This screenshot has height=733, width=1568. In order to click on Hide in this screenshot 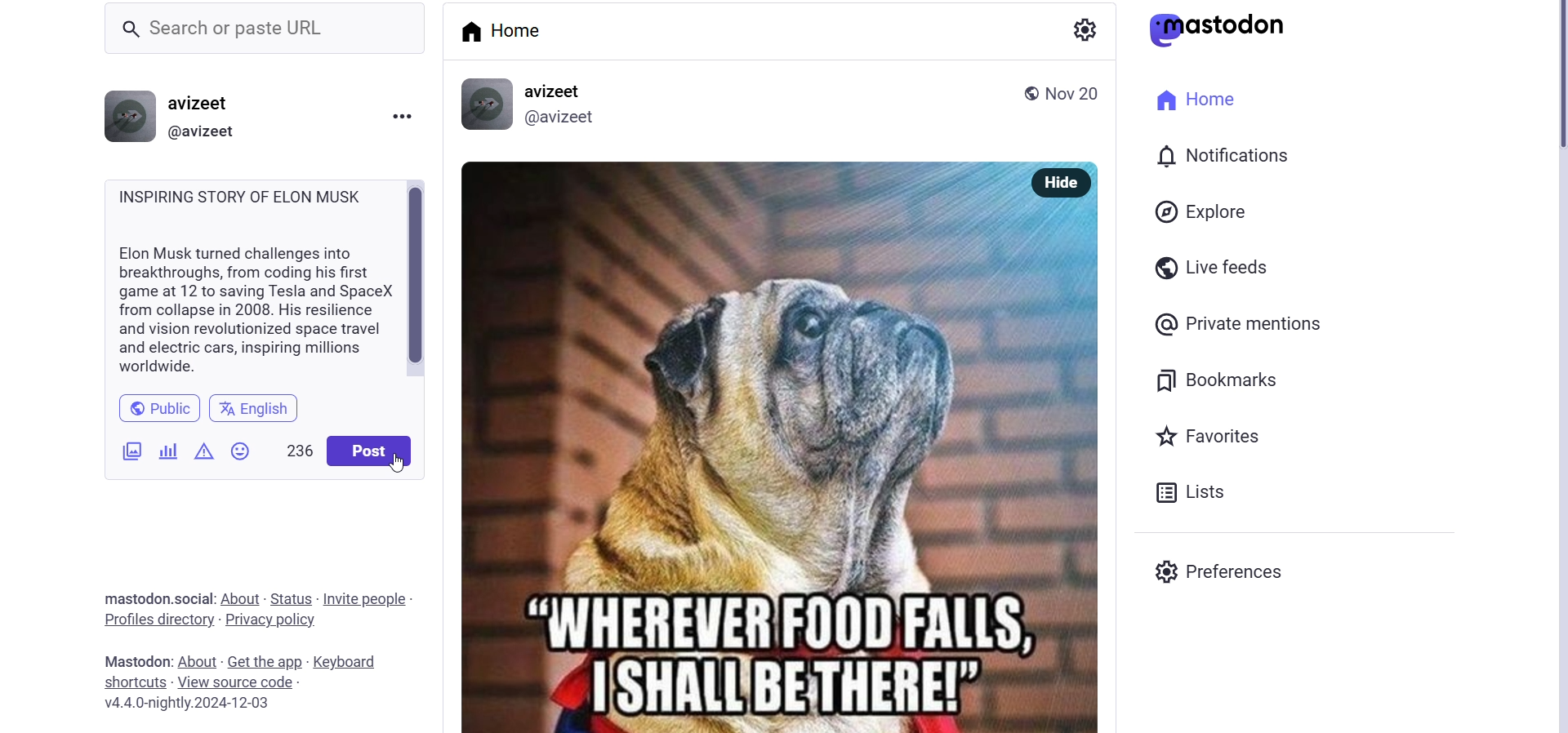, I will do `click(1058, 181)`.